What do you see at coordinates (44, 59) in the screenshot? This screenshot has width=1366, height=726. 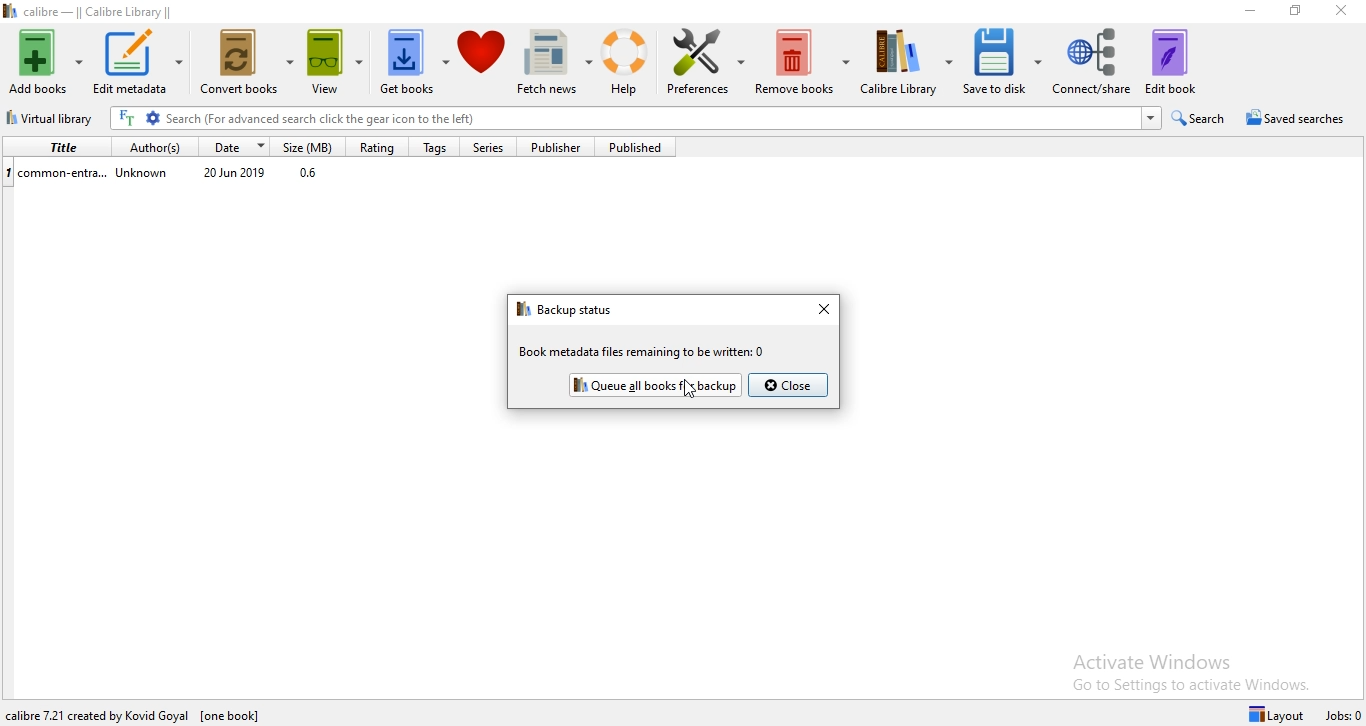 I see `Add books` at bounding box center [44, 59].